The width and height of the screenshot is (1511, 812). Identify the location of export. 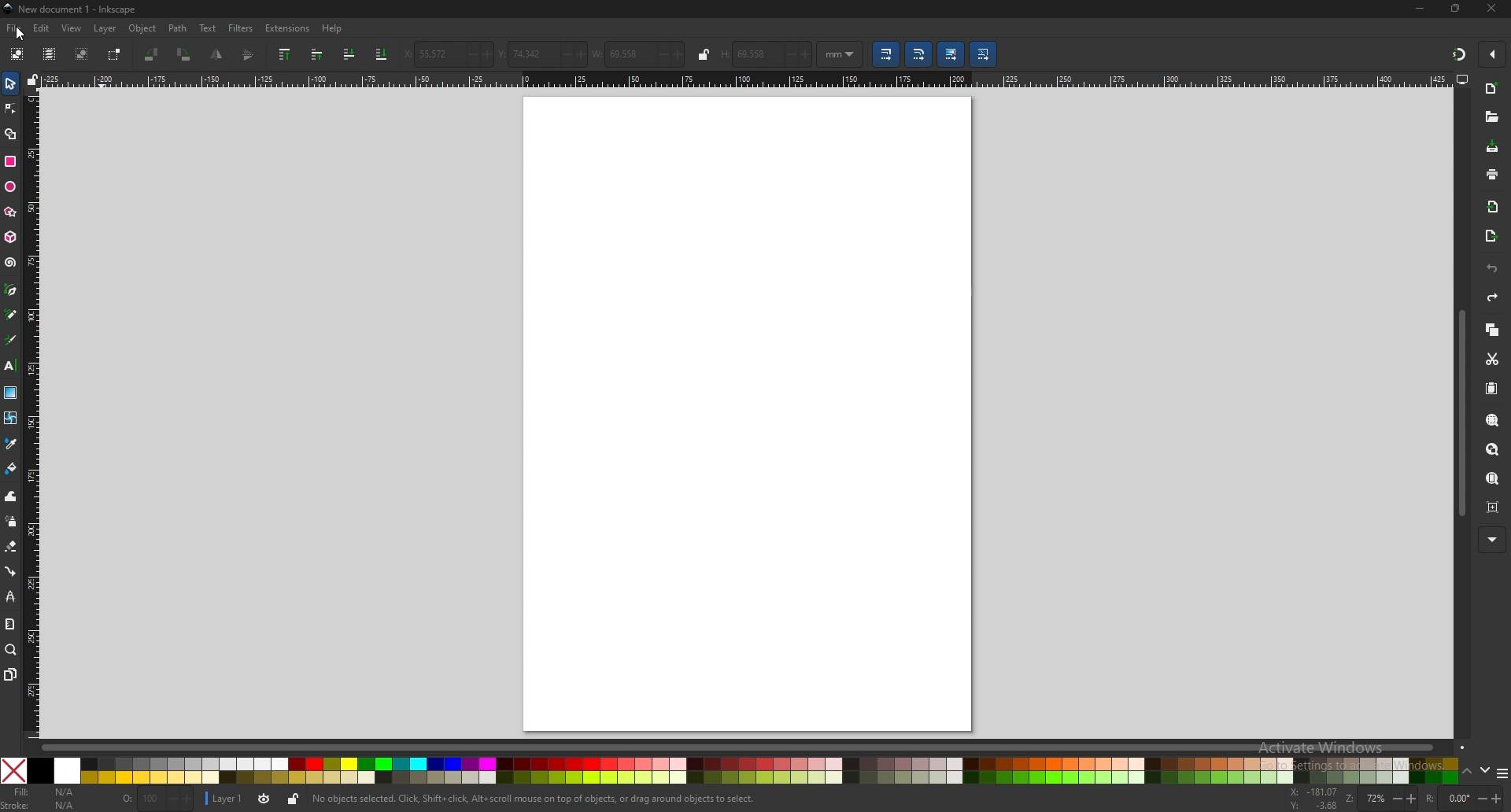
(1491, 236).